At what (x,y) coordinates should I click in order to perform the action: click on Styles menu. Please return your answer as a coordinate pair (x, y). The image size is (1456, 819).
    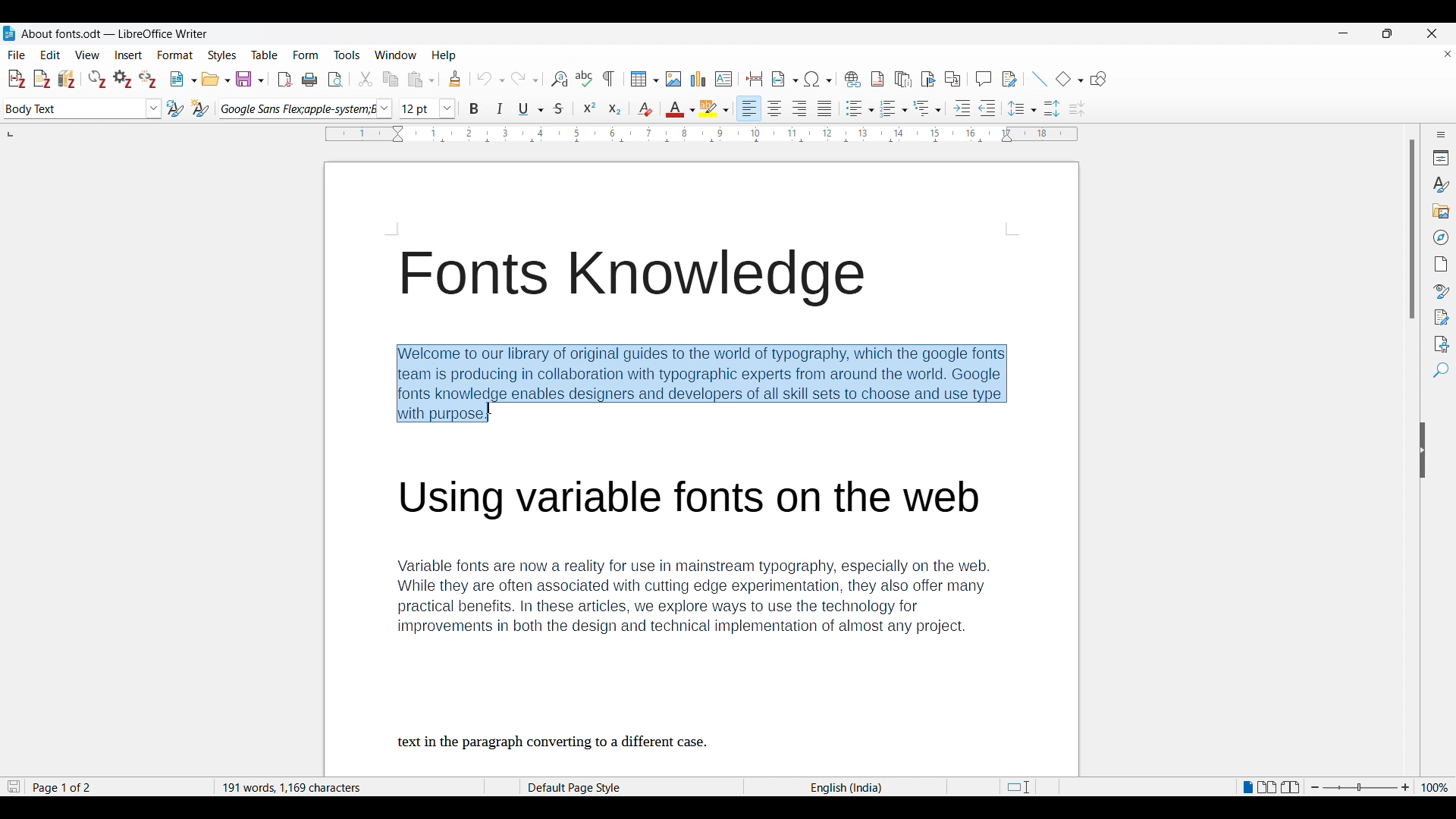
    Looking at the image, I should click on (222, 55).